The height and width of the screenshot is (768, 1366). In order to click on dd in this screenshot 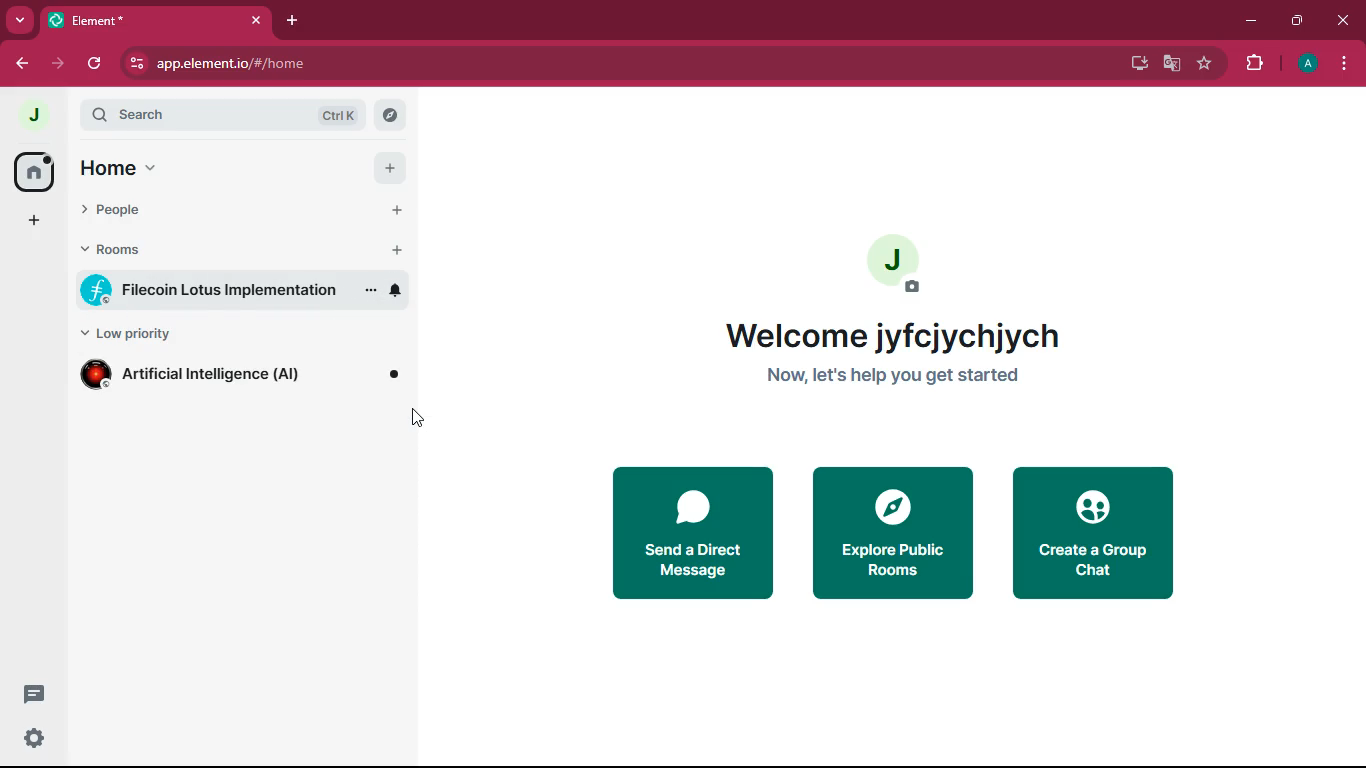, I will do `click(32, 224)`.